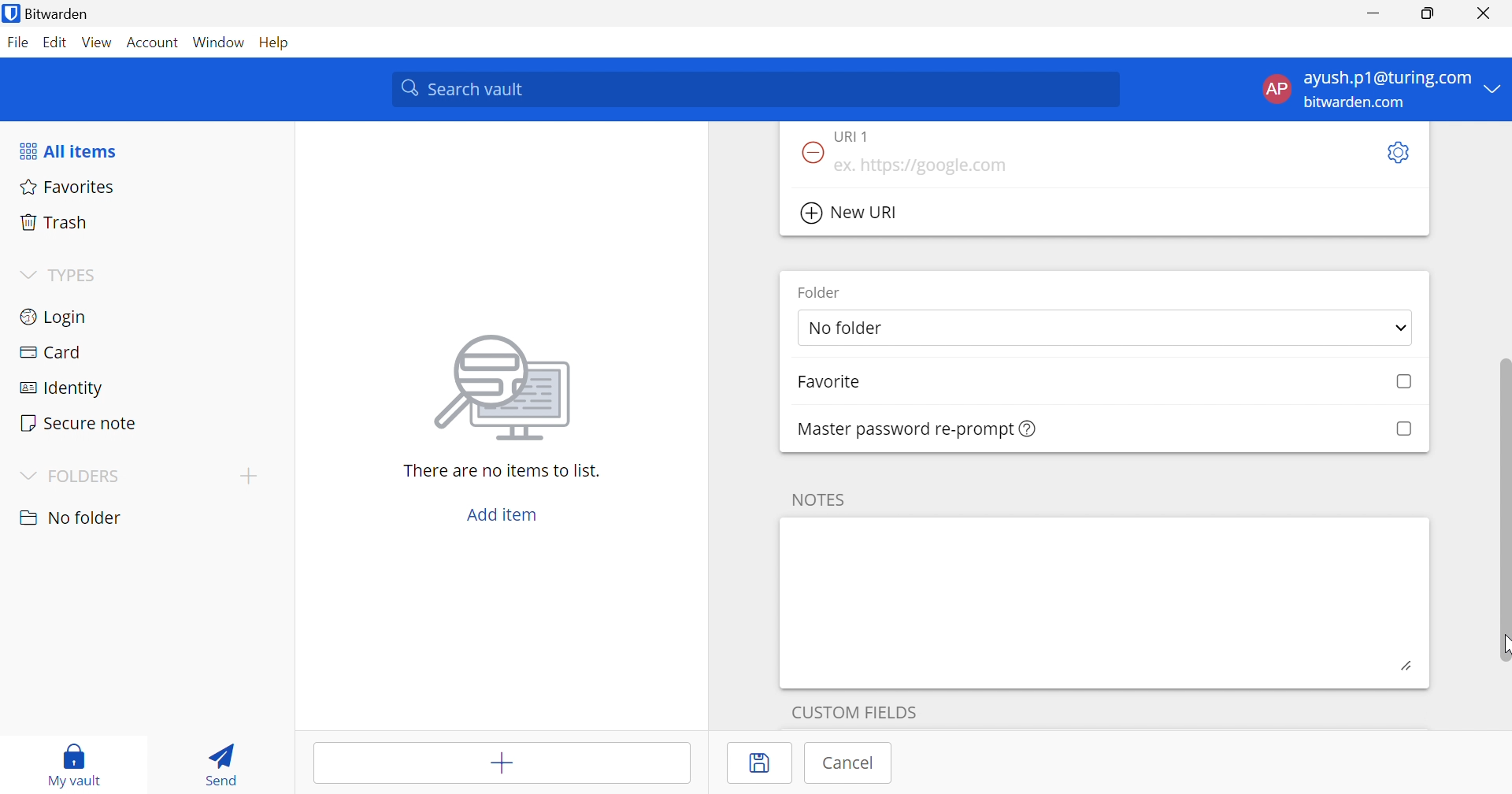  Describe the element at coordinates (1503, 495) in the screenshot. I see `Scroll Bar` at that location.